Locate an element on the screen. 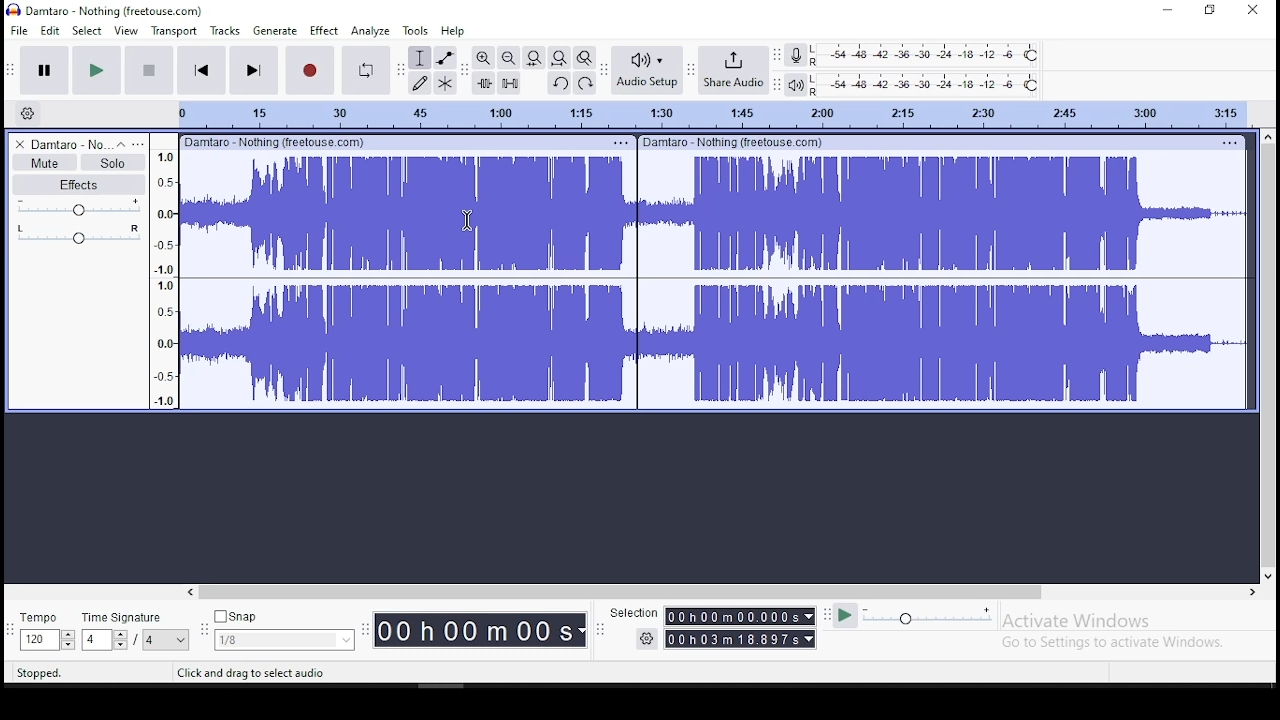 The width and height of the screenshot is (1280, 720). click and drag to select audio is located at coordinates (252, 673).